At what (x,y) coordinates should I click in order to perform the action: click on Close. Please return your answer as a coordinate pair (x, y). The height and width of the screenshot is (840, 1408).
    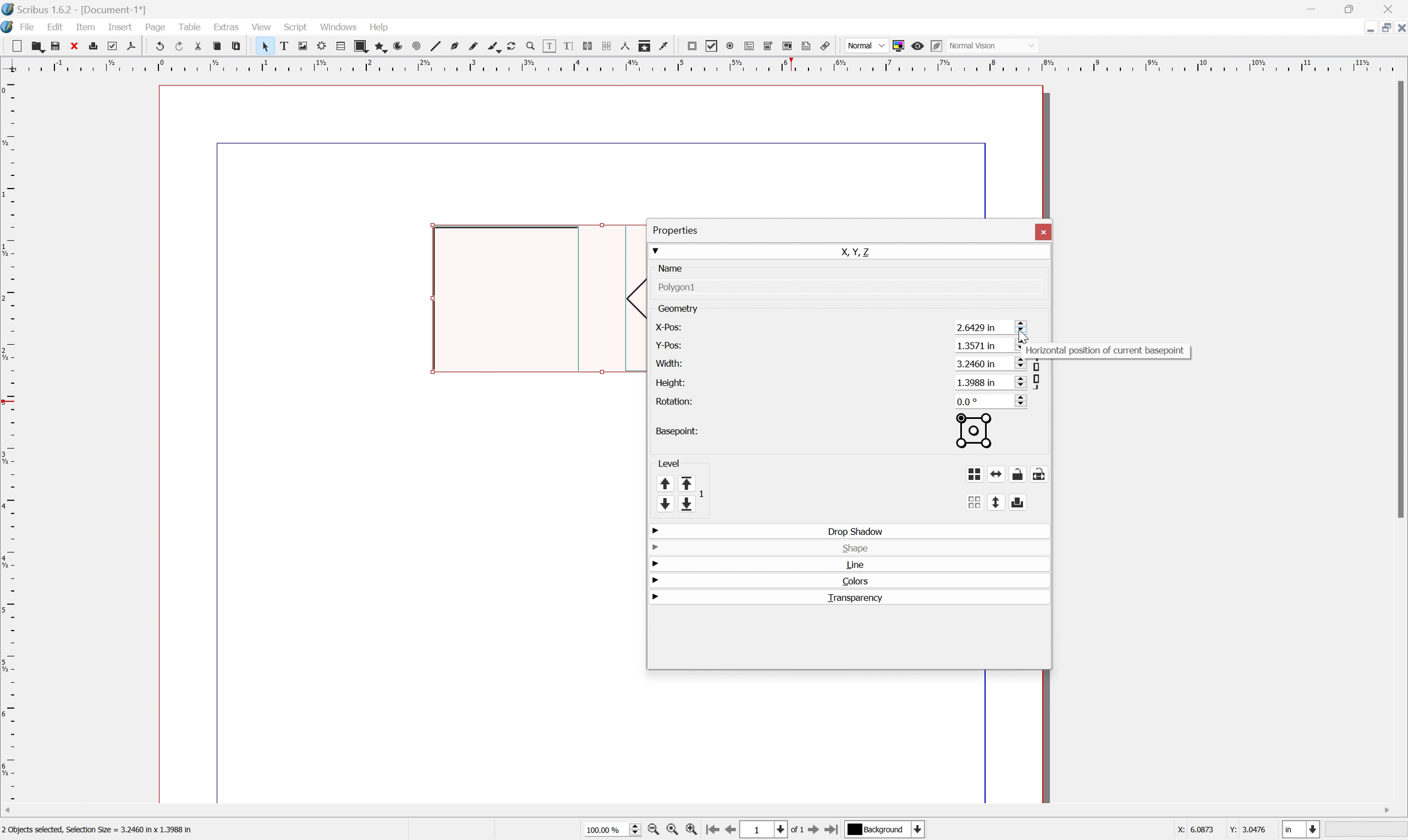
    Looking at the image, I should click on (1392, 8).